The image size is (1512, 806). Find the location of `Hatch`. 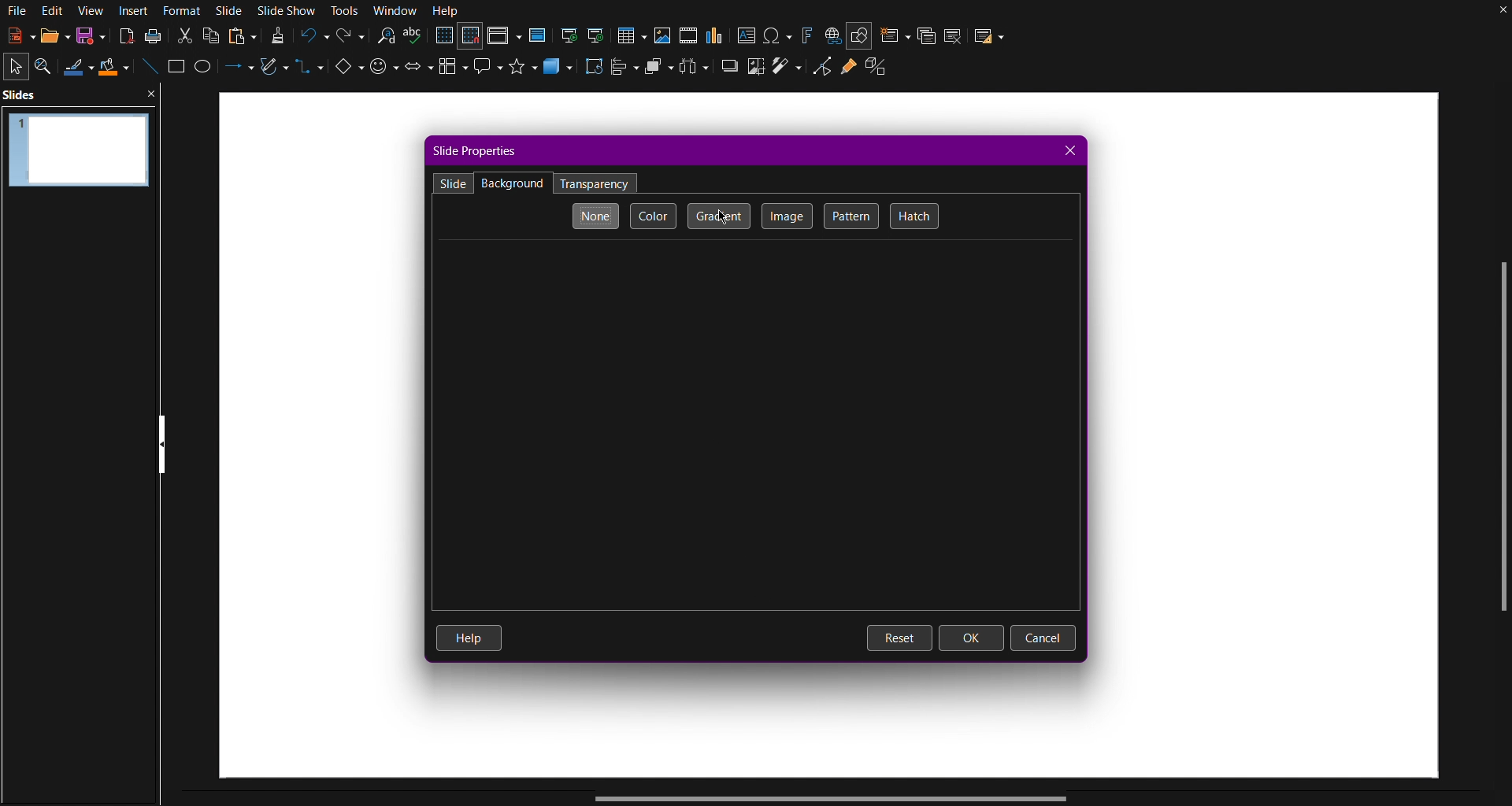

Hatch is located at coordinates (914, 217).